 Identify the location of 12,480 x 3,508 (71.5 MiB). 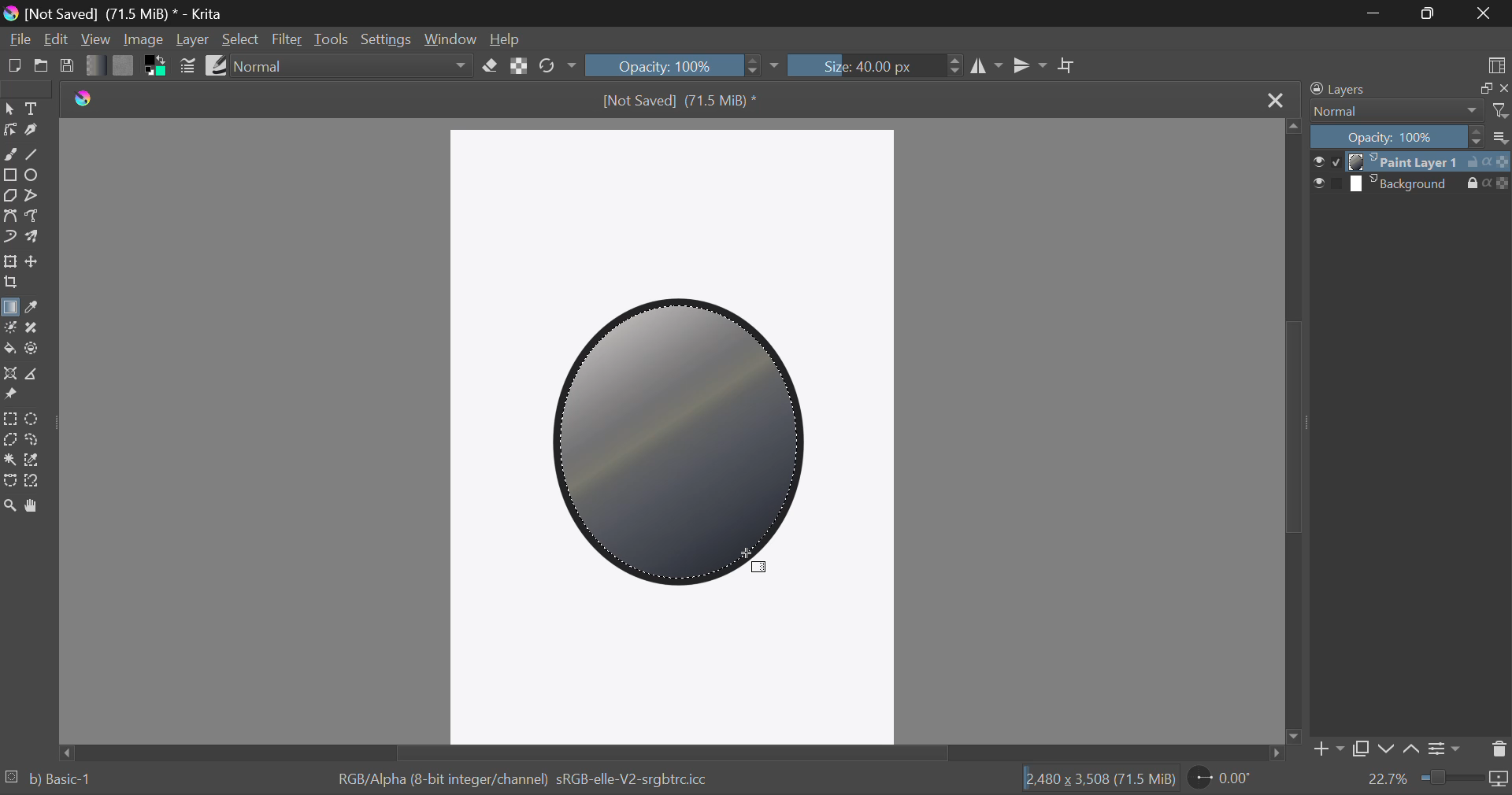
(1099, 779).